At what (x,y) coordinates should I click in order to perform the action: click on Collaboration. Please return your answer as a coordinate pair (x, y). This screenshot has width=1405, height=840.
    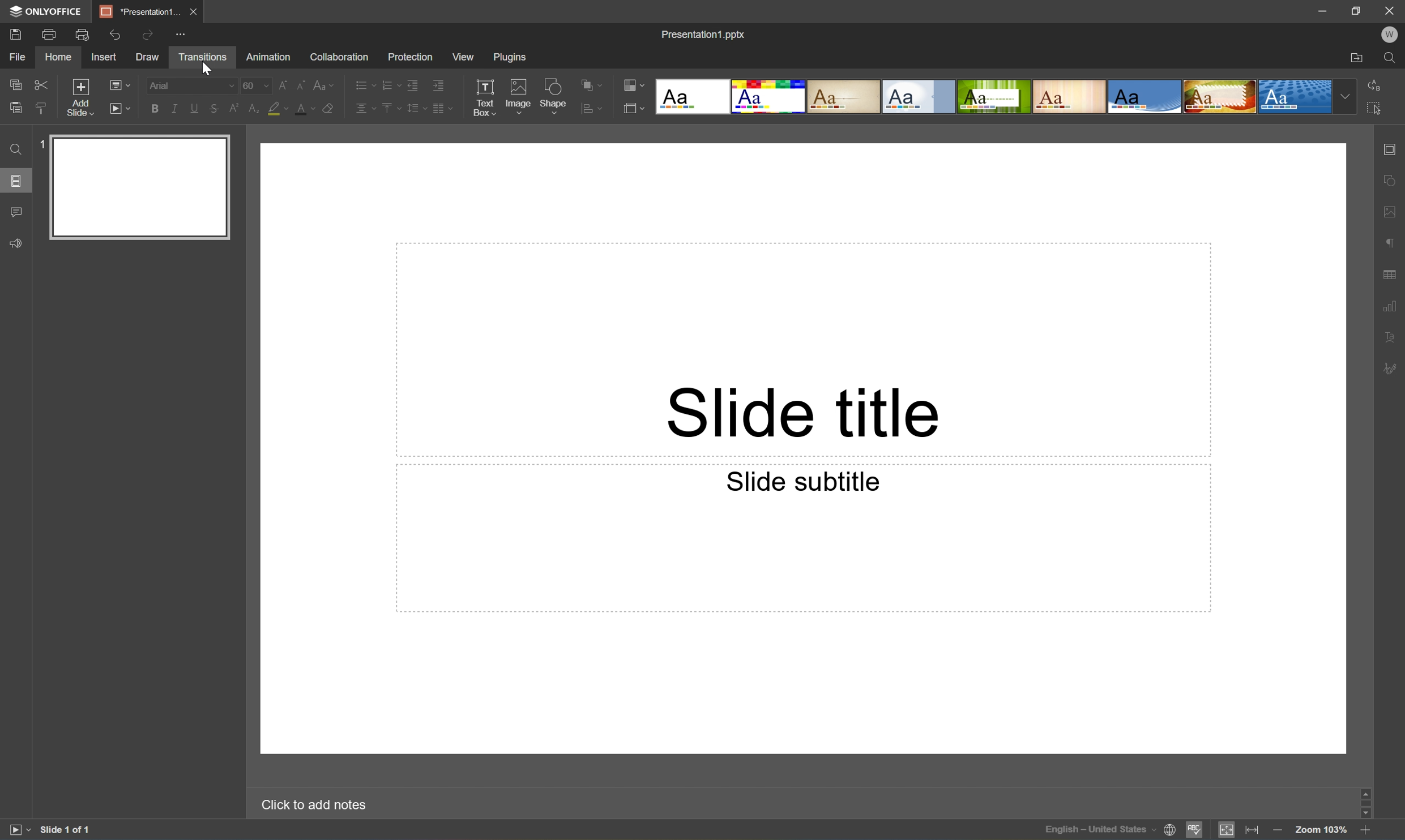
    Looking at the image, I should click on (340, 61).